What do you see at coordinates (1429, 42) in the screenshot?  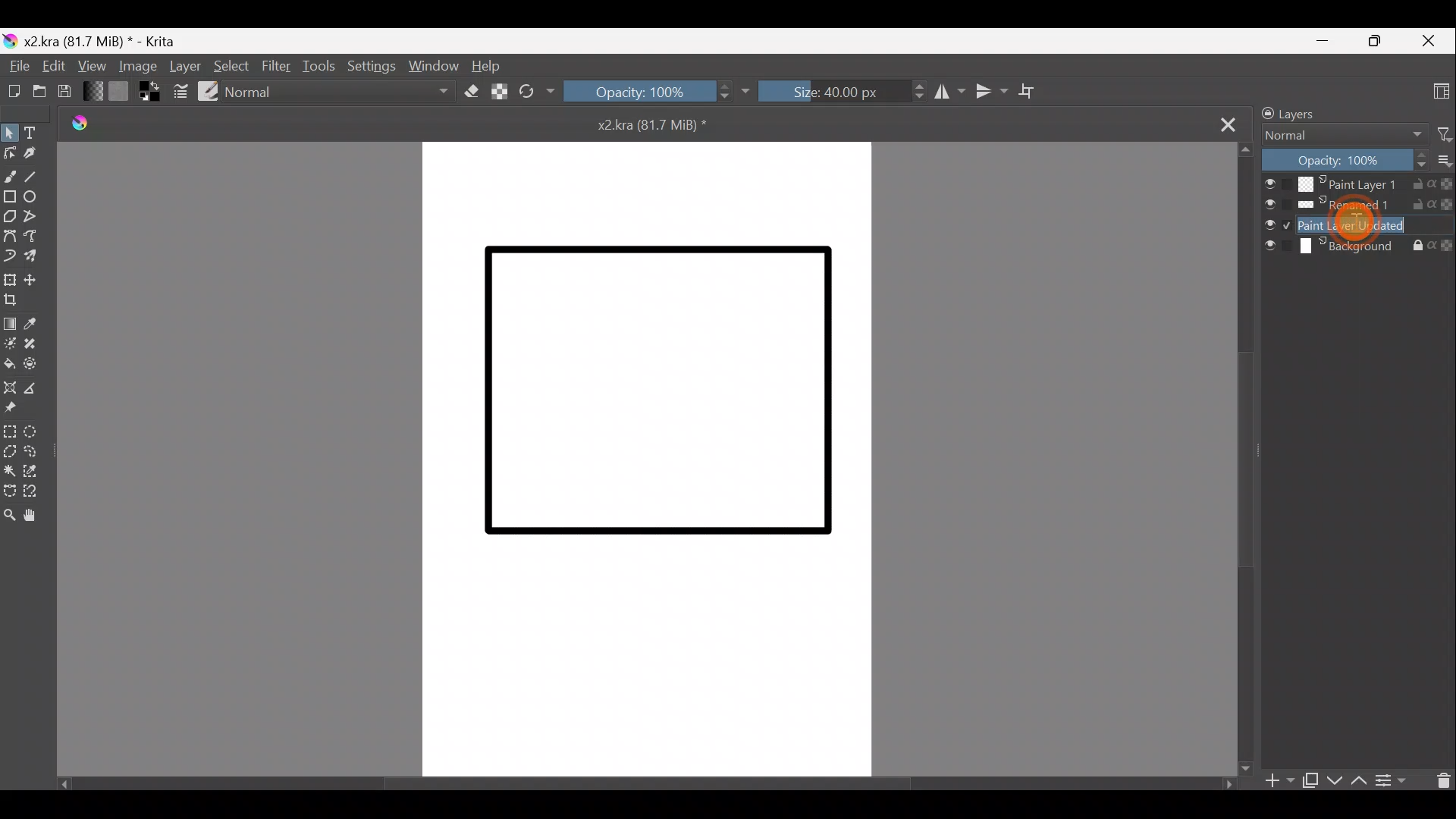 I see `Close` at bounding box center [1429, 42].